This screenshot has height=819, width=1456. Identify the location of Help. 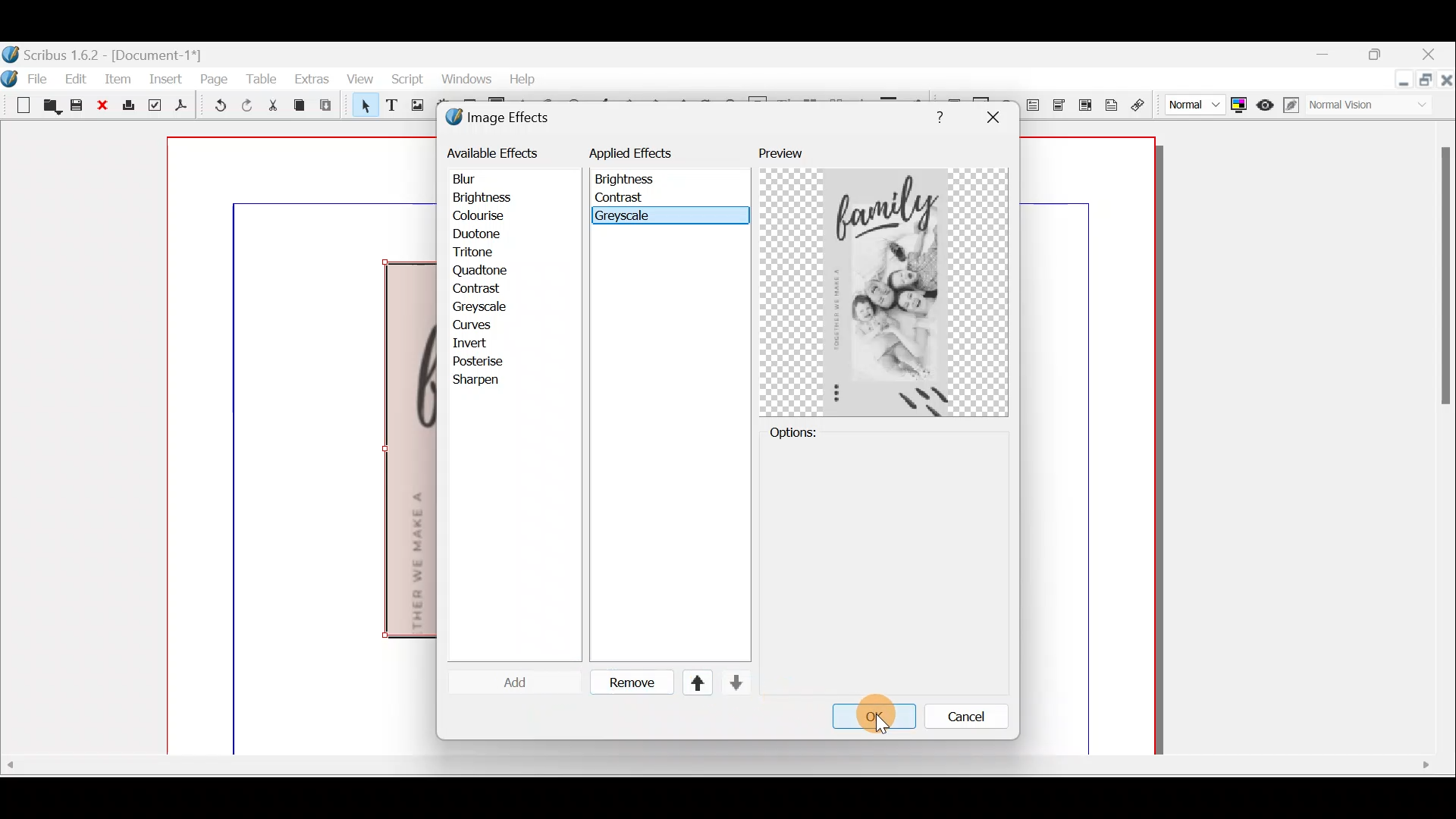
(940, 115).